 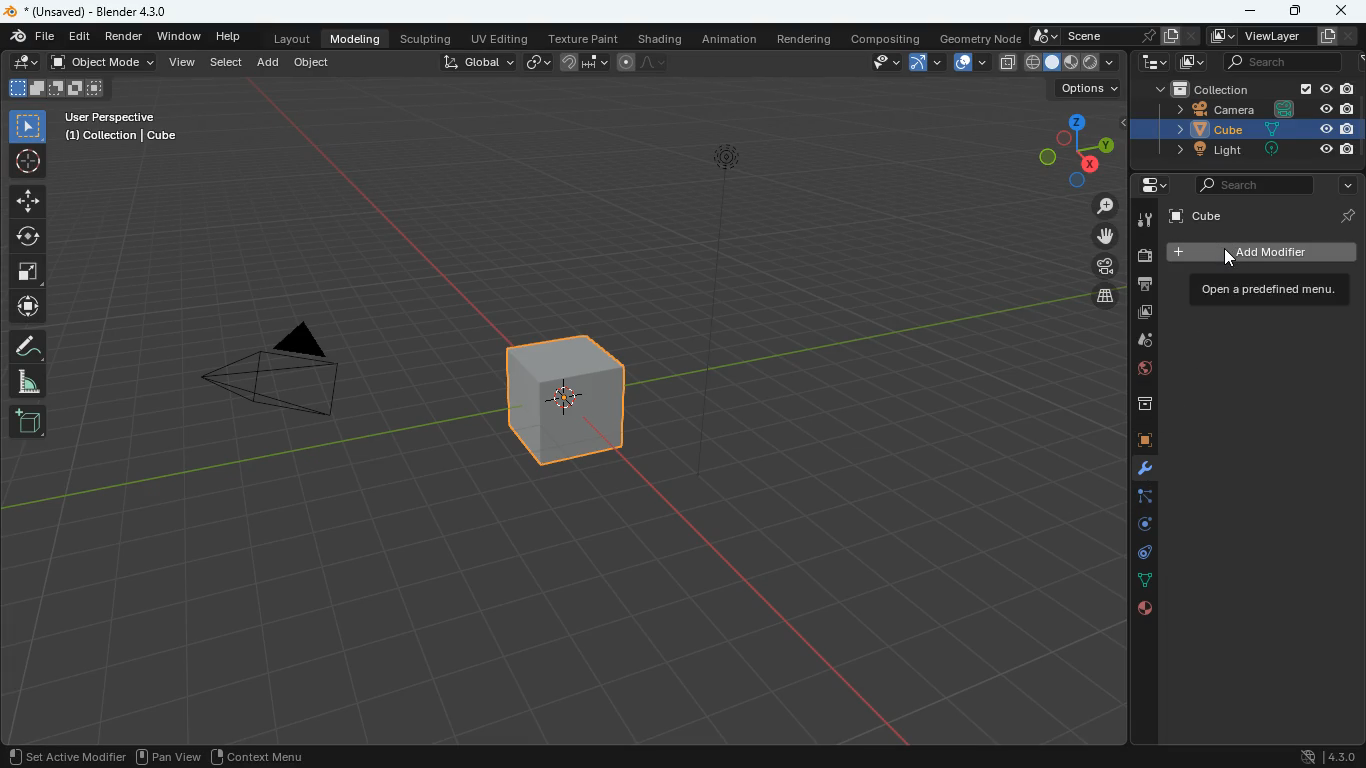 I want to click on add, so click(x=269, y=64).